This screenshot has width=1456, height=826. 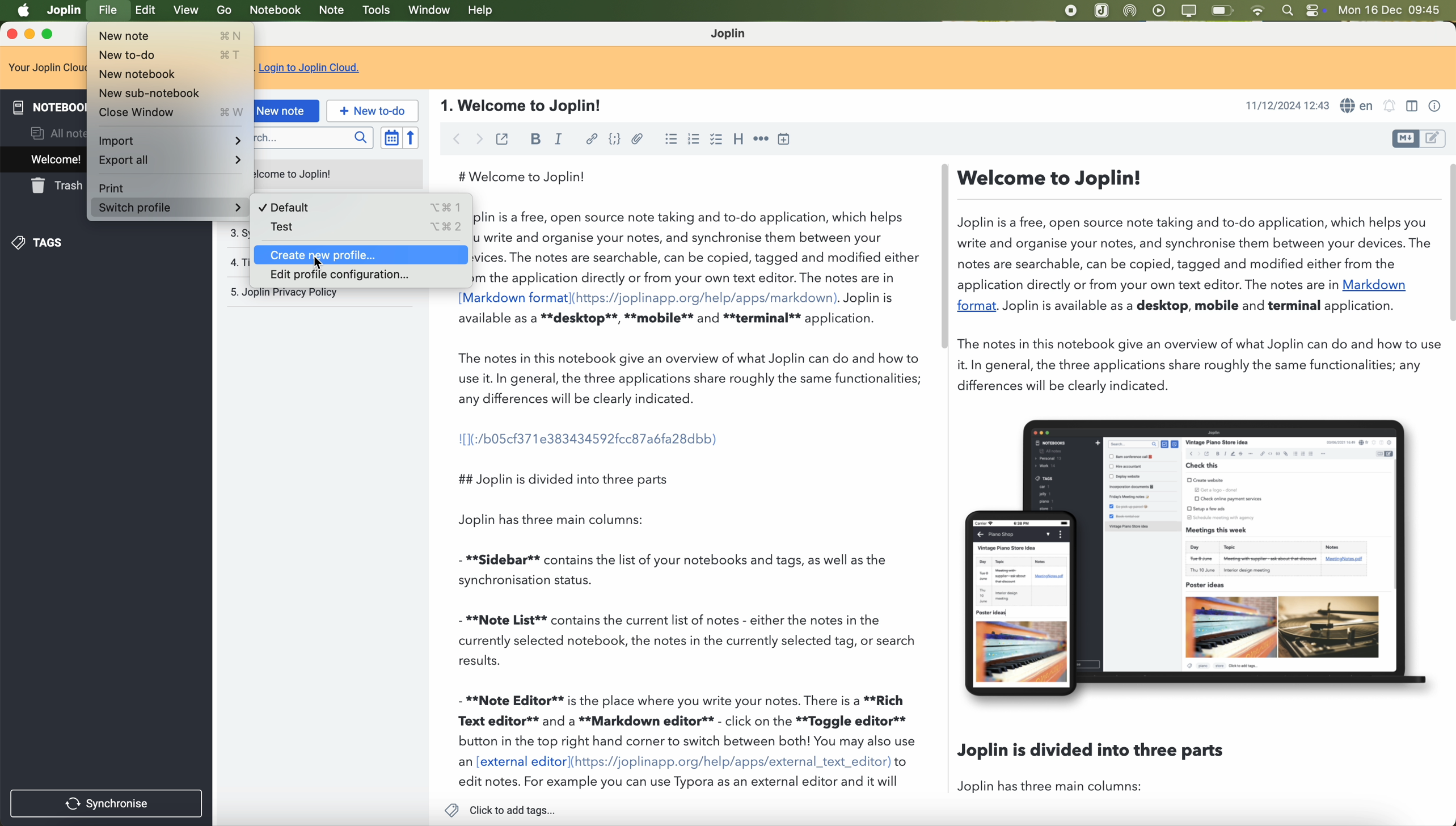 What do you see at coordinates (107, 802) in the screenshot?
I see `synchronise` at bounding box center [107, 802].